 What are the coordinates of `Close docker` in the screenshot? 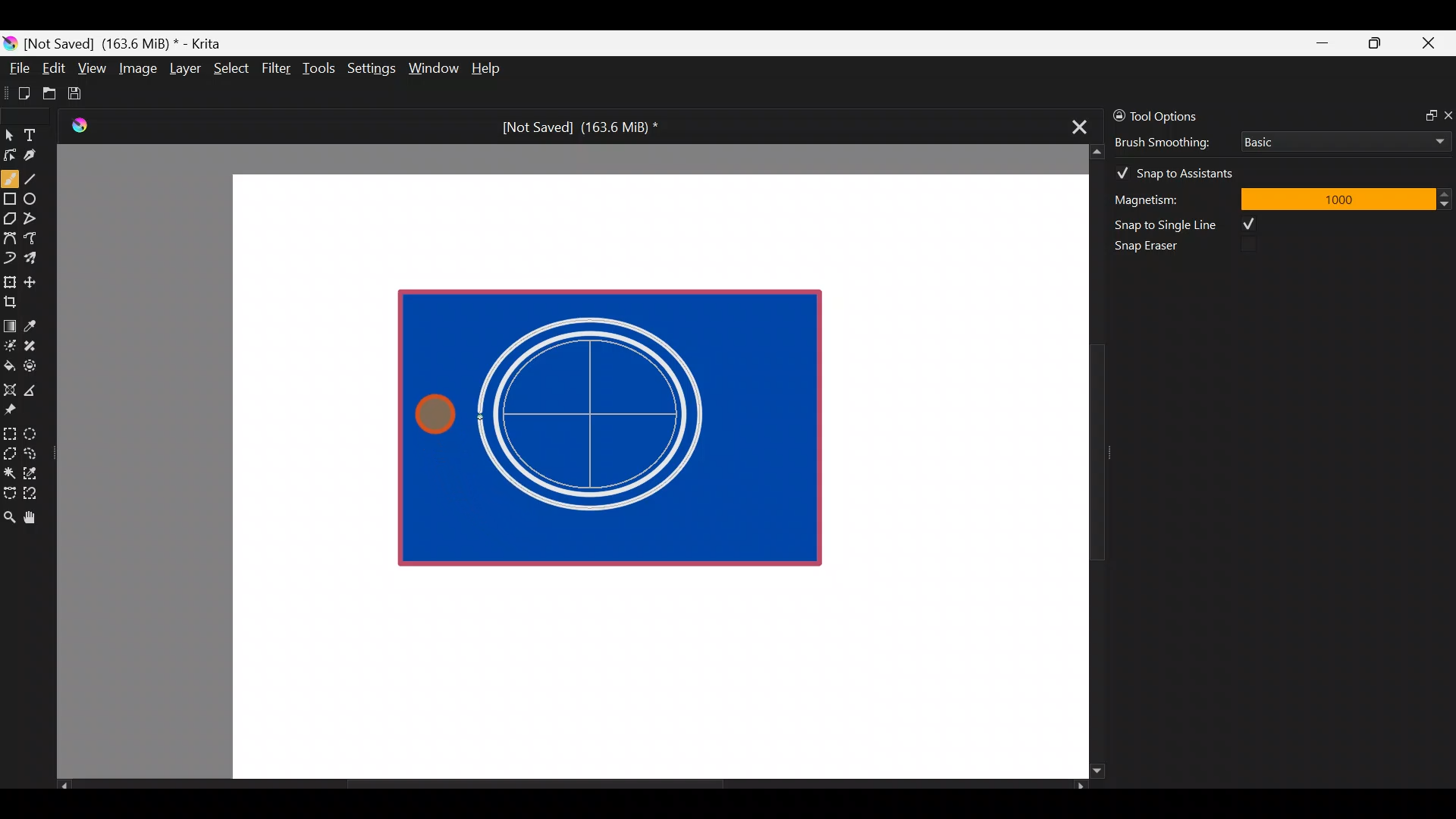 It's located at (1447, 115).